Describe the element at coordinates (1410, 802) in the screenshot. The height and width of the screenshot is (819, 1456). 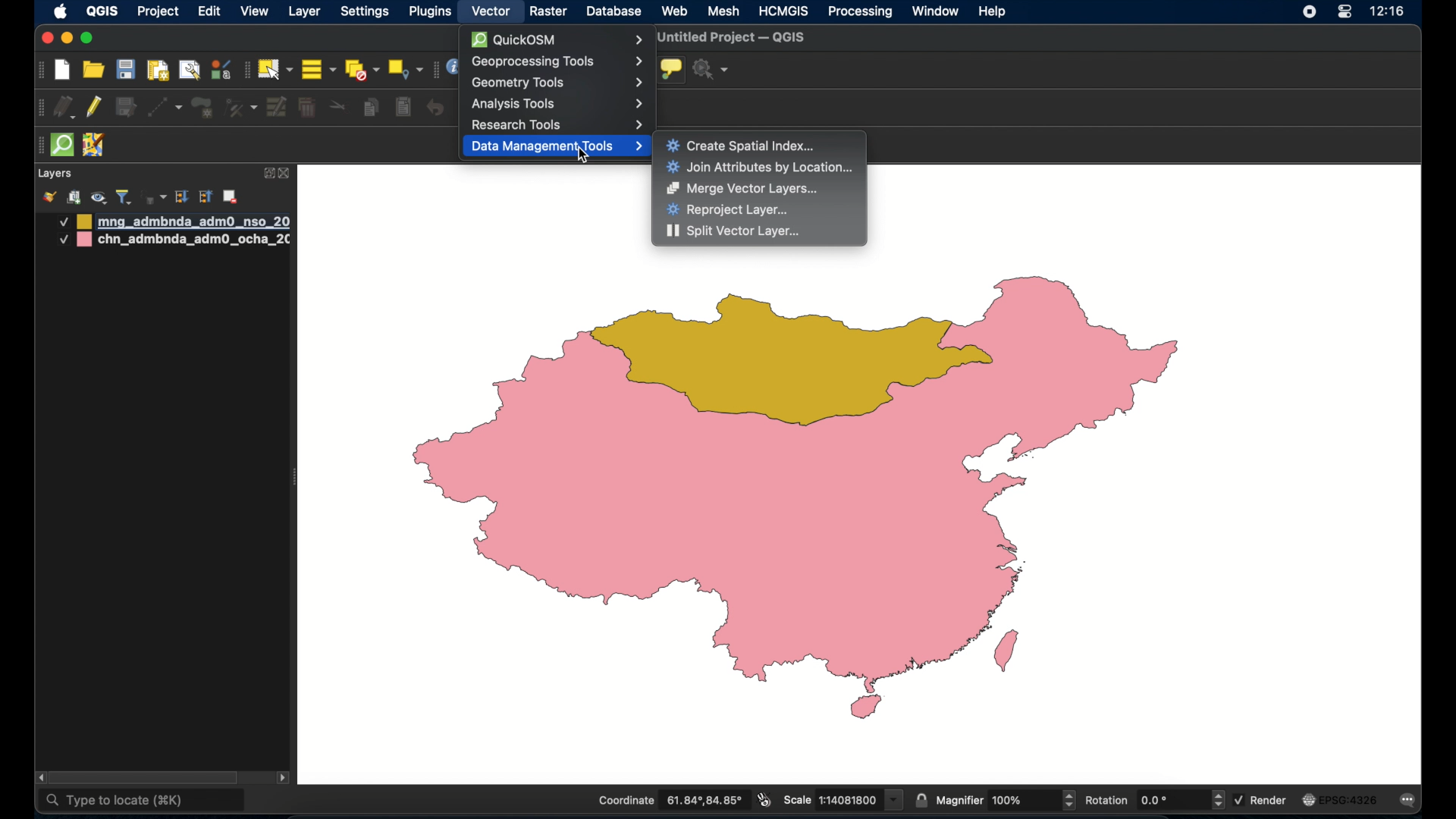
I see `messages` at that location.